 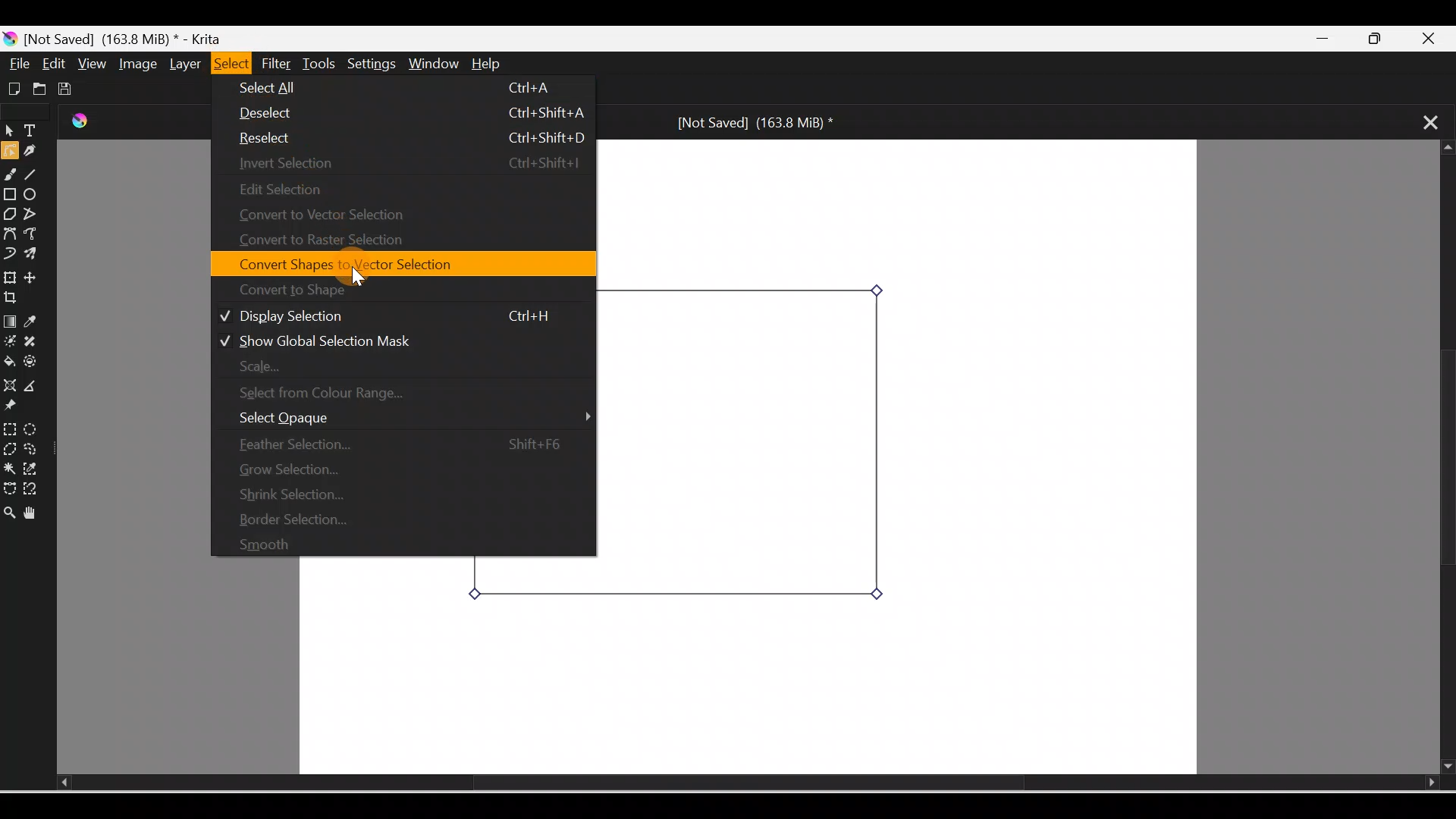 What do you see at coordinates (33, 256) in the screenshot?
I see `Multibrush tool` at bounding box center [33, 256].